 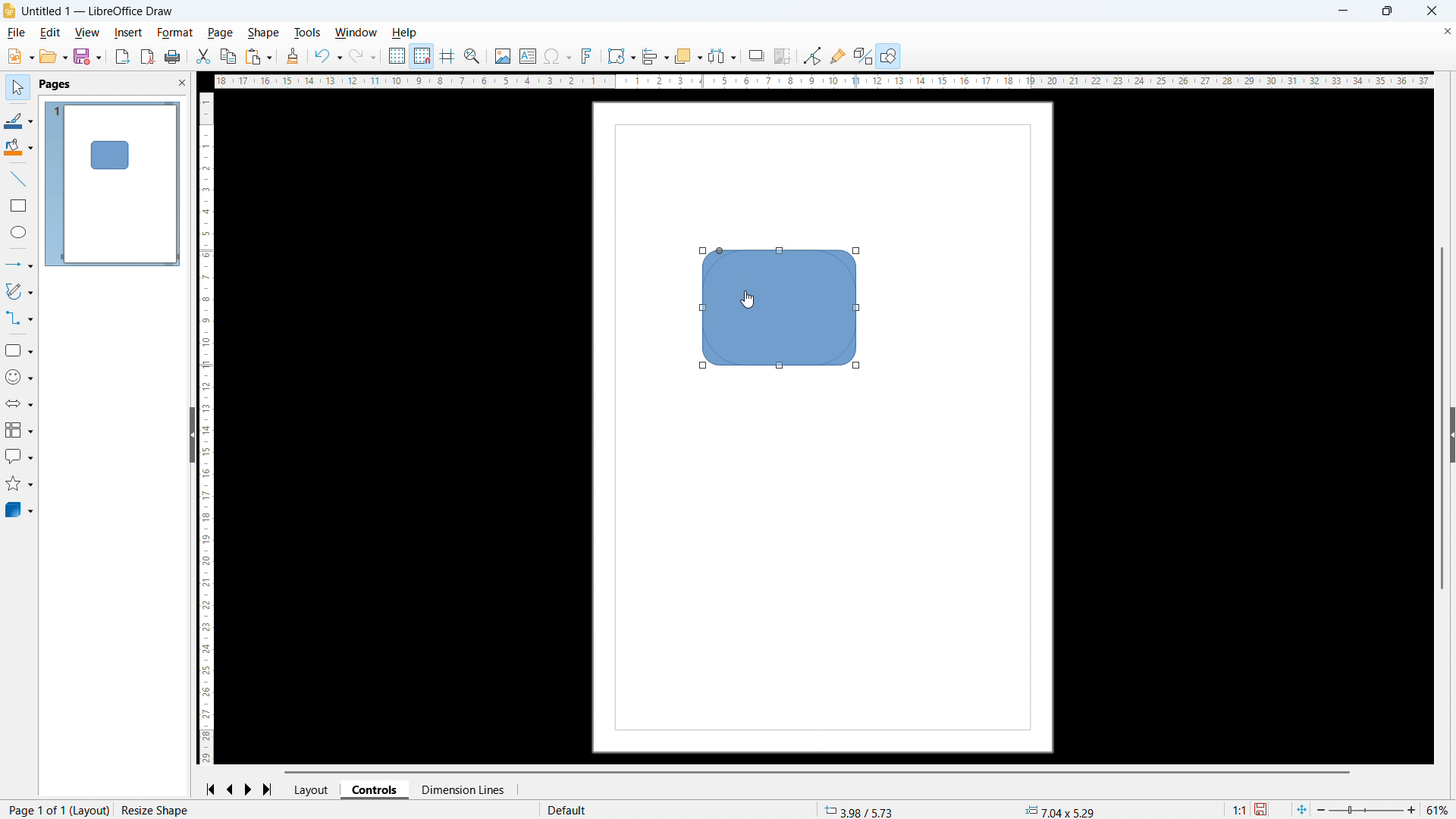 What do you see at coordinates (173, 57) in the screenshot?
I see `Print ` at bounding box center [173, 57].